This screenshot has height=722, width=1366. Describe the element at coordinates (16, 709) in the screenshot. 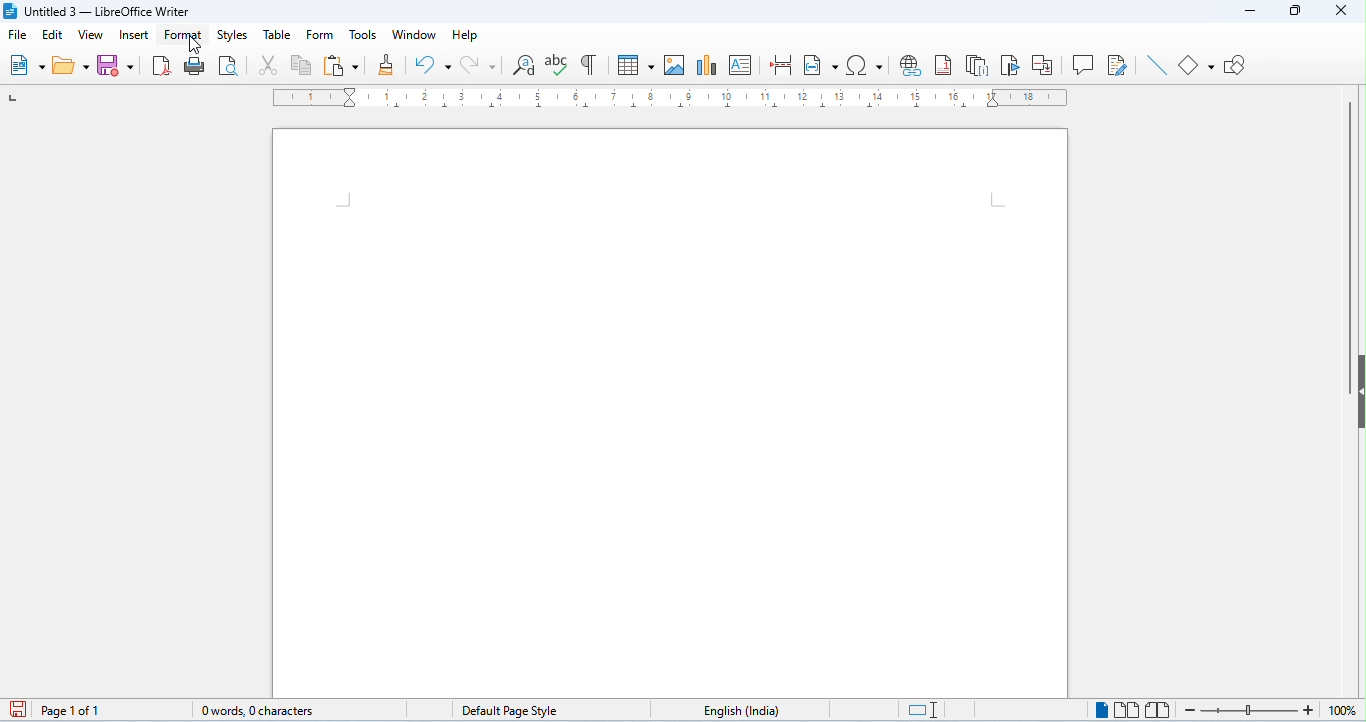

I see `save` at that location.